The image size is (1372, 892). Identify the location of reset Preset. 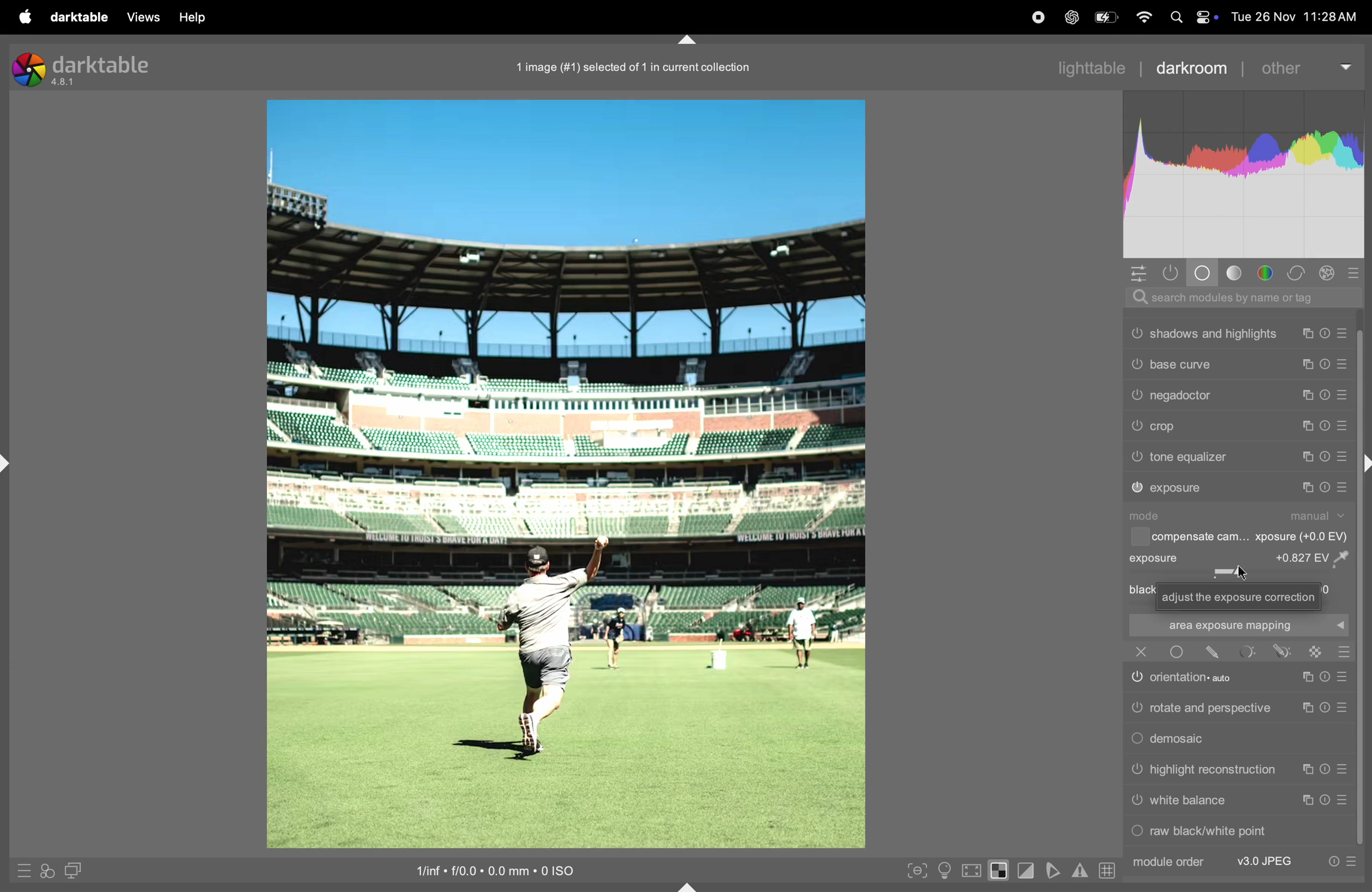
(1324, 770).